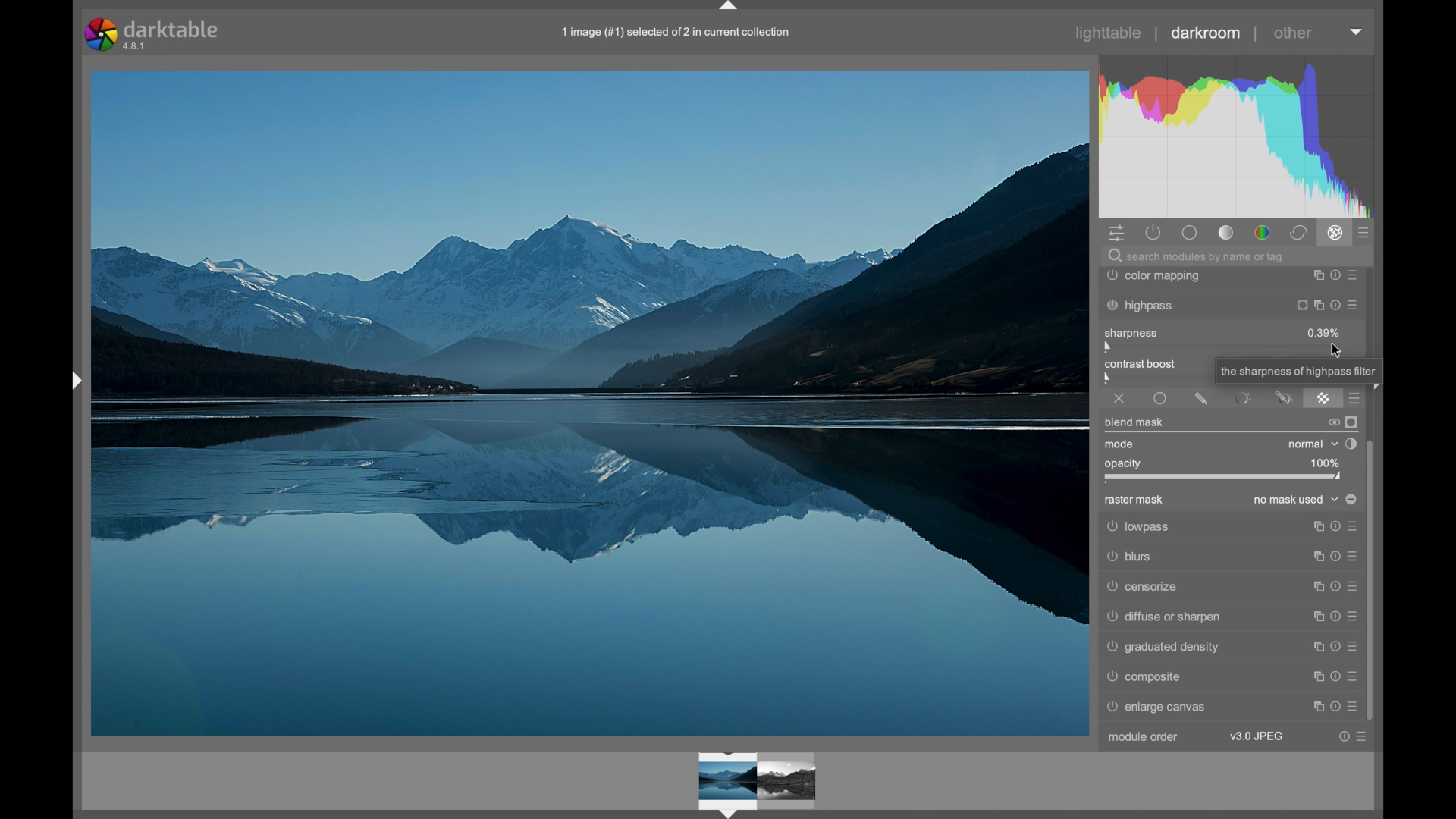 The image size is (1456, 819). Describe the element at coordinates (1231, 616) in the screenshot. I see `diffuse or sharpen` at that location.